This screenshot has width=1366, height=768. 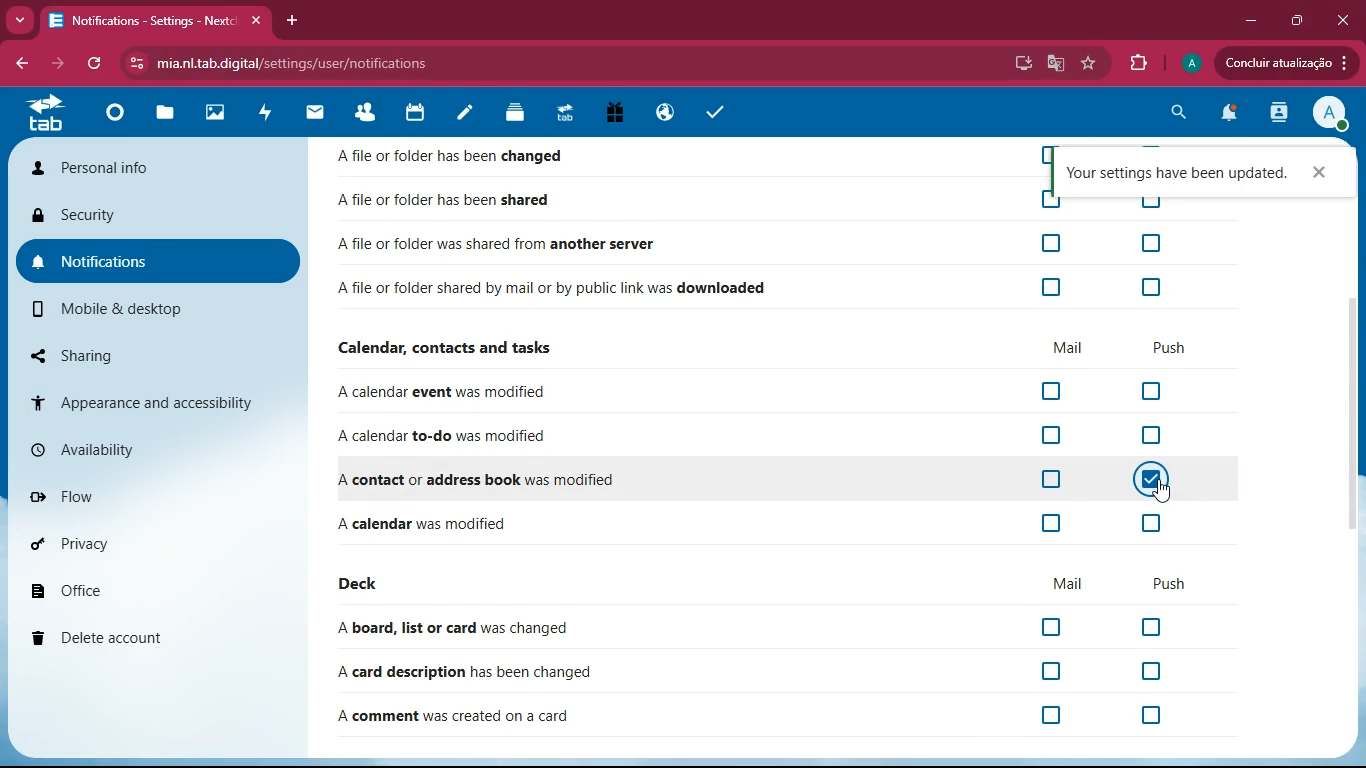 I want to click on A file or folder has been shared, so click(x=463, y=201).